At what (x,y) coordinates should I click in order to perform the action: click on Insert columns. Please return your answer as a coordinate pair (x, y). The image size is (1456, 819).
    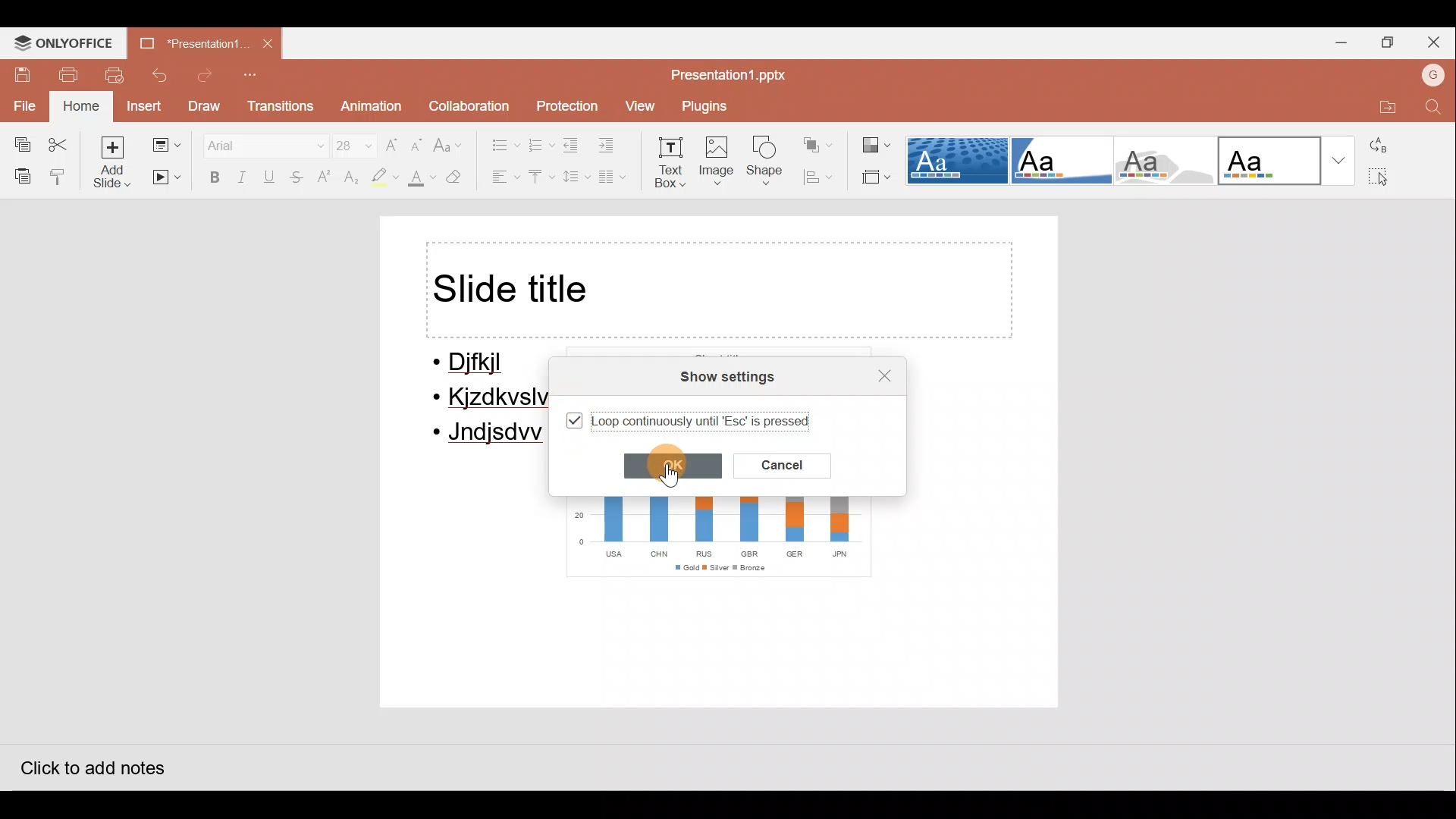
    Looking at the image, I should click on (613, 175).